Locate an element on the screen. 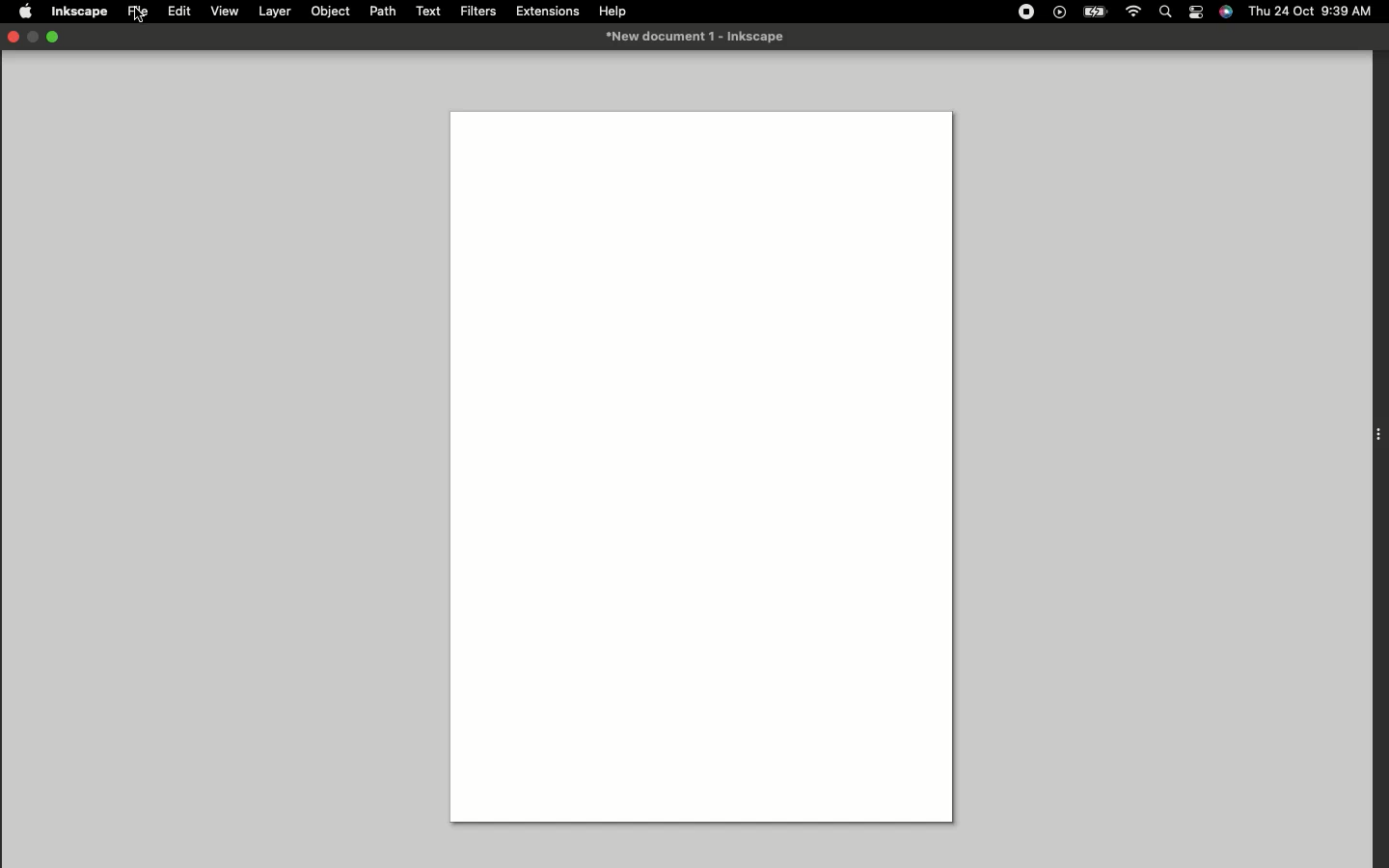 The width and height of the screenshot is (1389, 868). Internet is located at coordinates (1134, 12).